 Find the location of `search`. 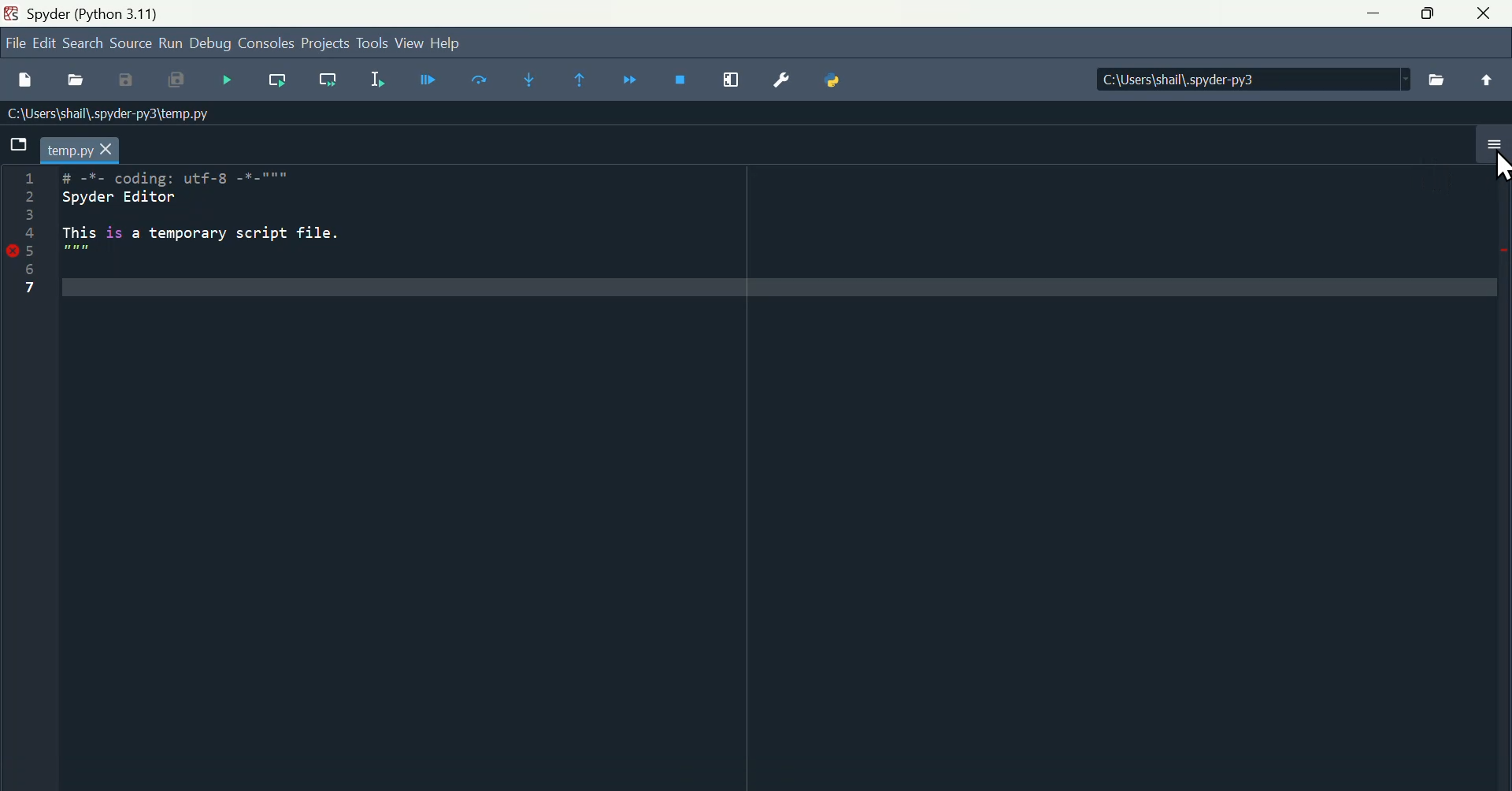

search is located at coordinates (86, 45).